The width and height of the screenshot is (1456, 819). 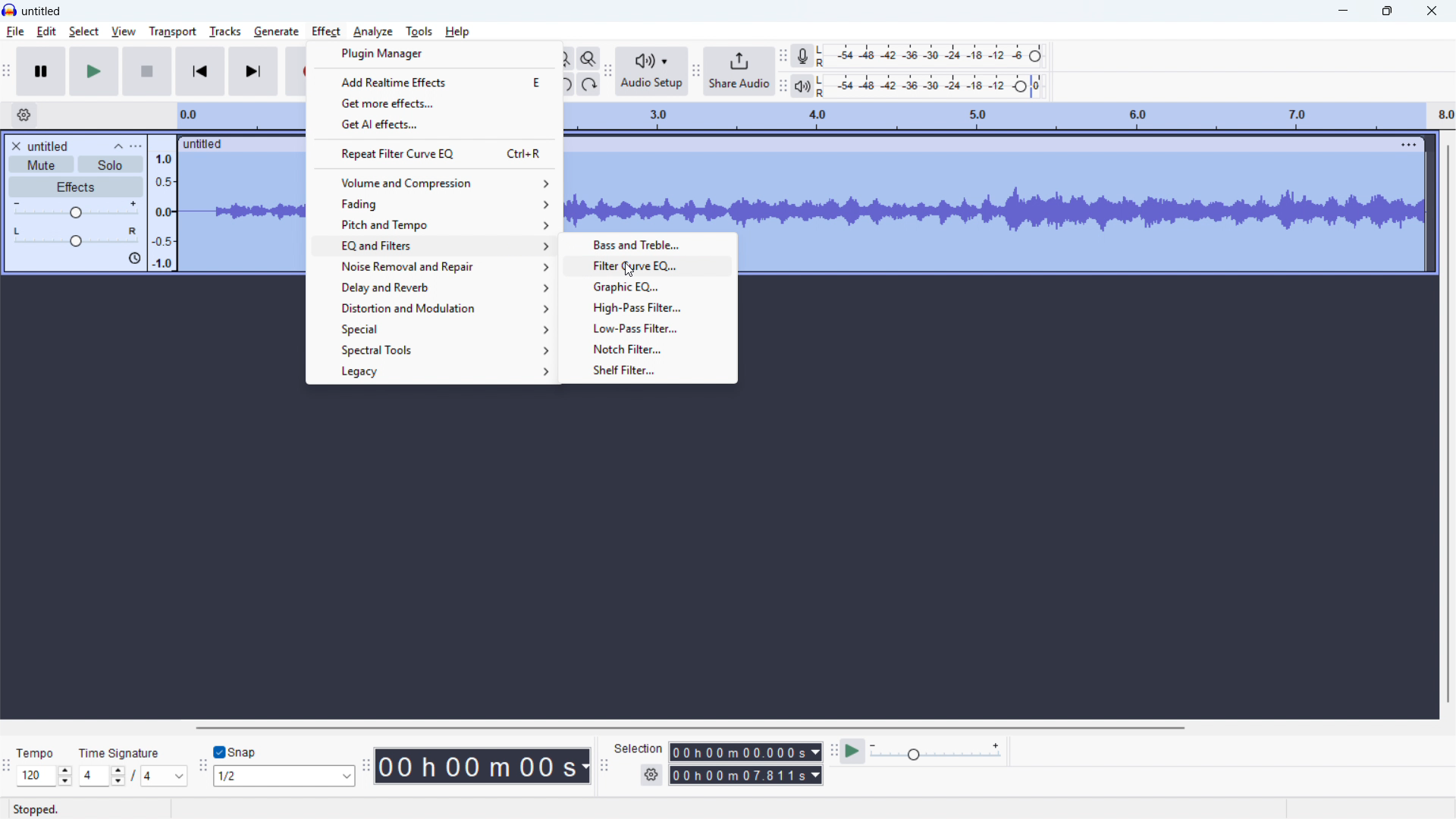 What do you see at coordinates (16, 32) in the screenshot?
I see `file` at bounding box center [16, 32].